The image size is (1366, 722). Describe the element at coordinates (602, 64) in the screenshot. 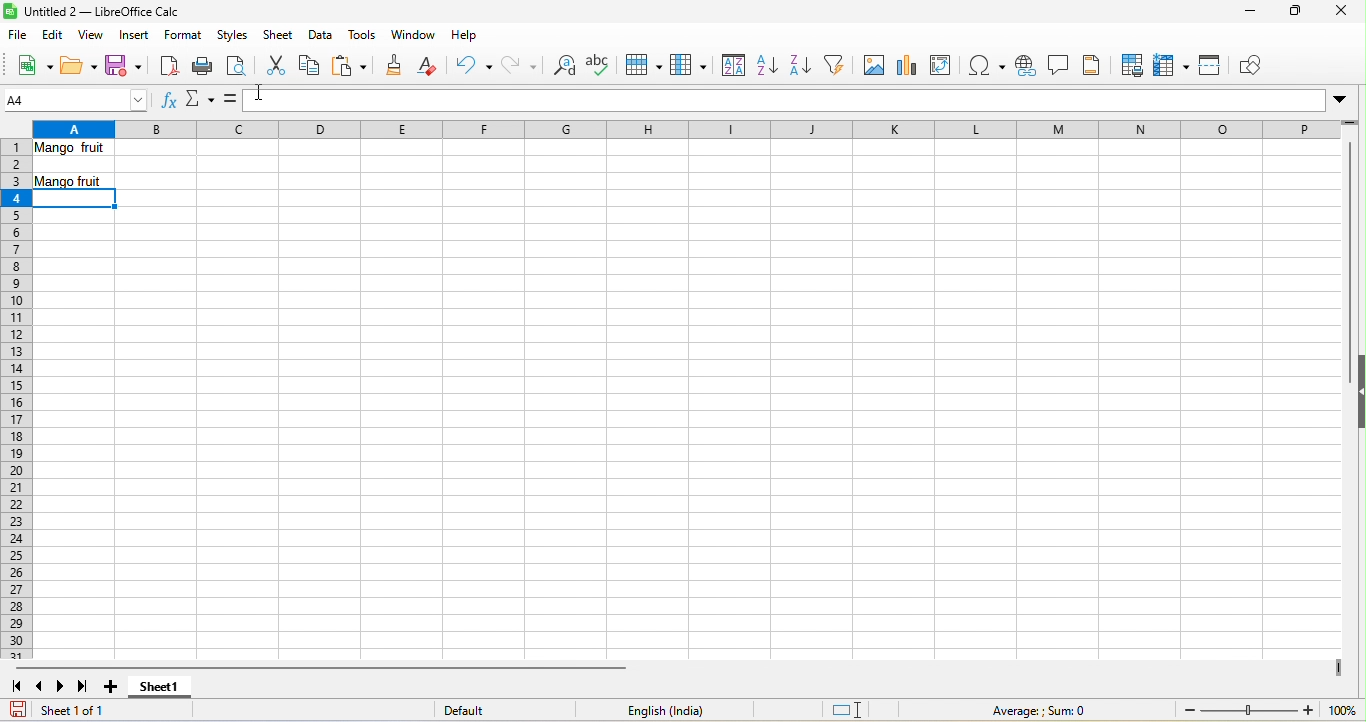

I see `spelling` at that location.